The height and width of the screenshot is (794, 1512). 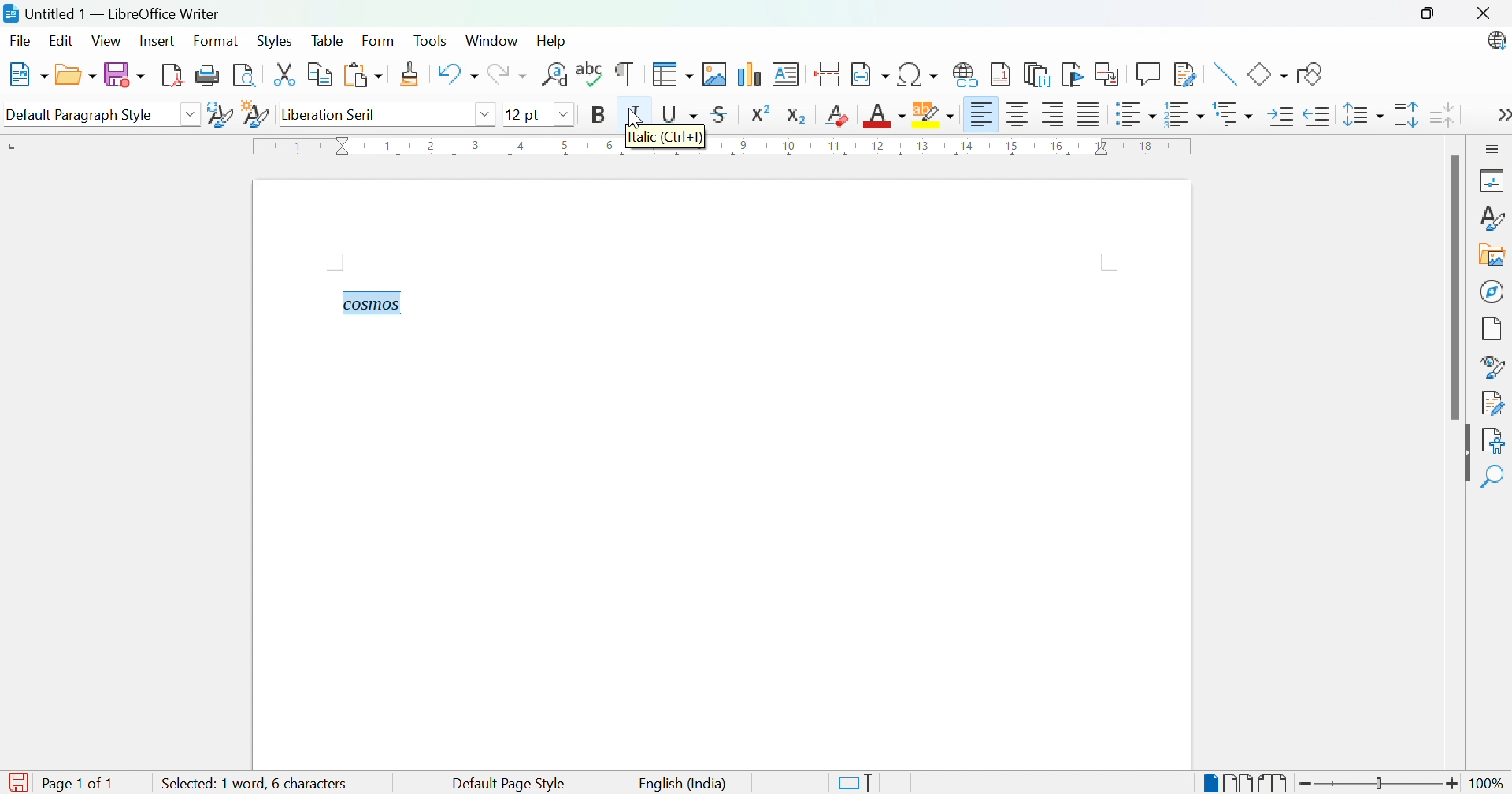 What do you see at coordinates (1490, 785) in the screenshot?
I see `100%` at bounding box center [1490, 785].